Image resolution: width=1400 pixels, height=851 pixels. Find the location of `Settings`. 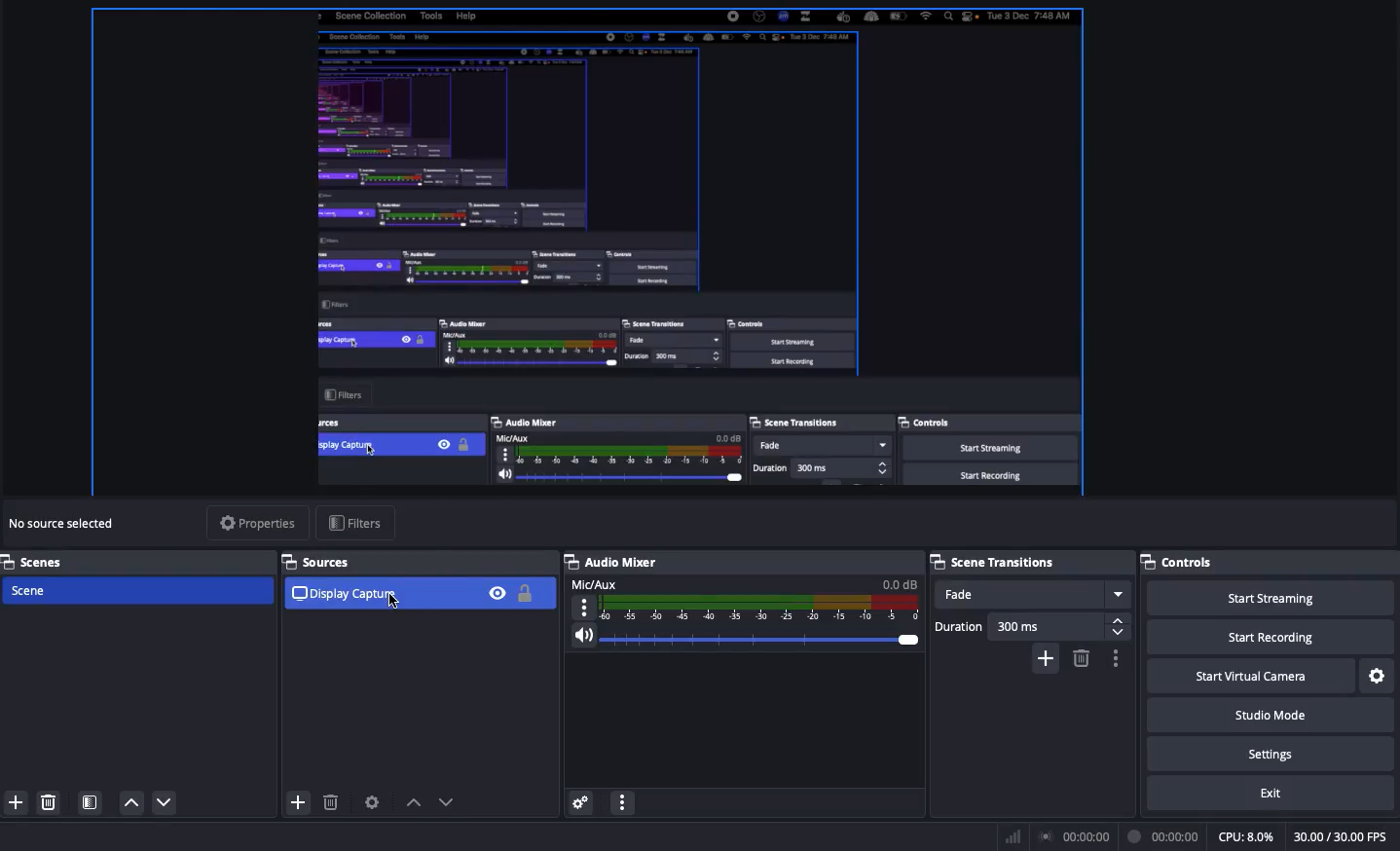

Settings is located at coordinates (1269, 754).